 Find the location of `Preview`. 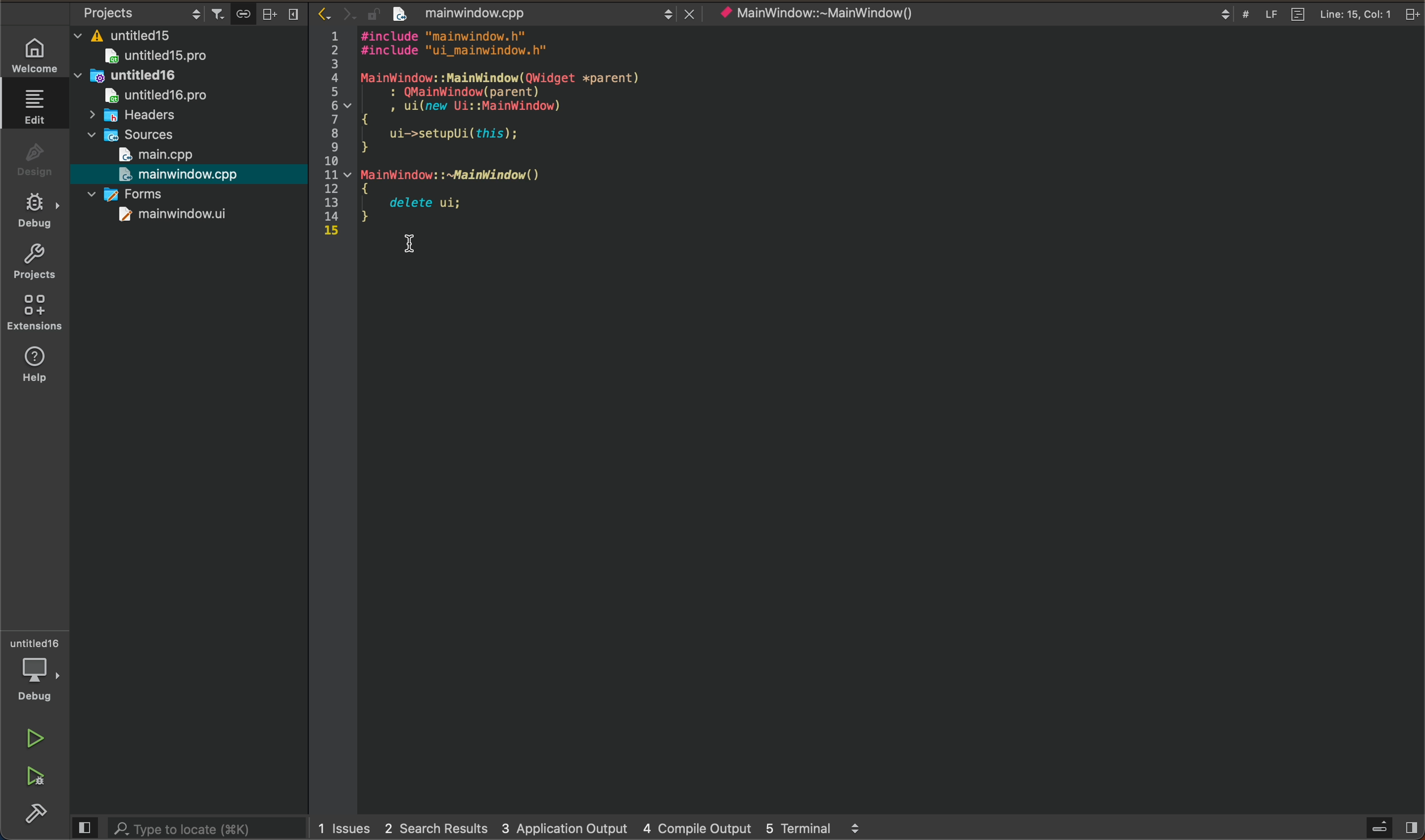

Preview is located at coordinates (83, 827).